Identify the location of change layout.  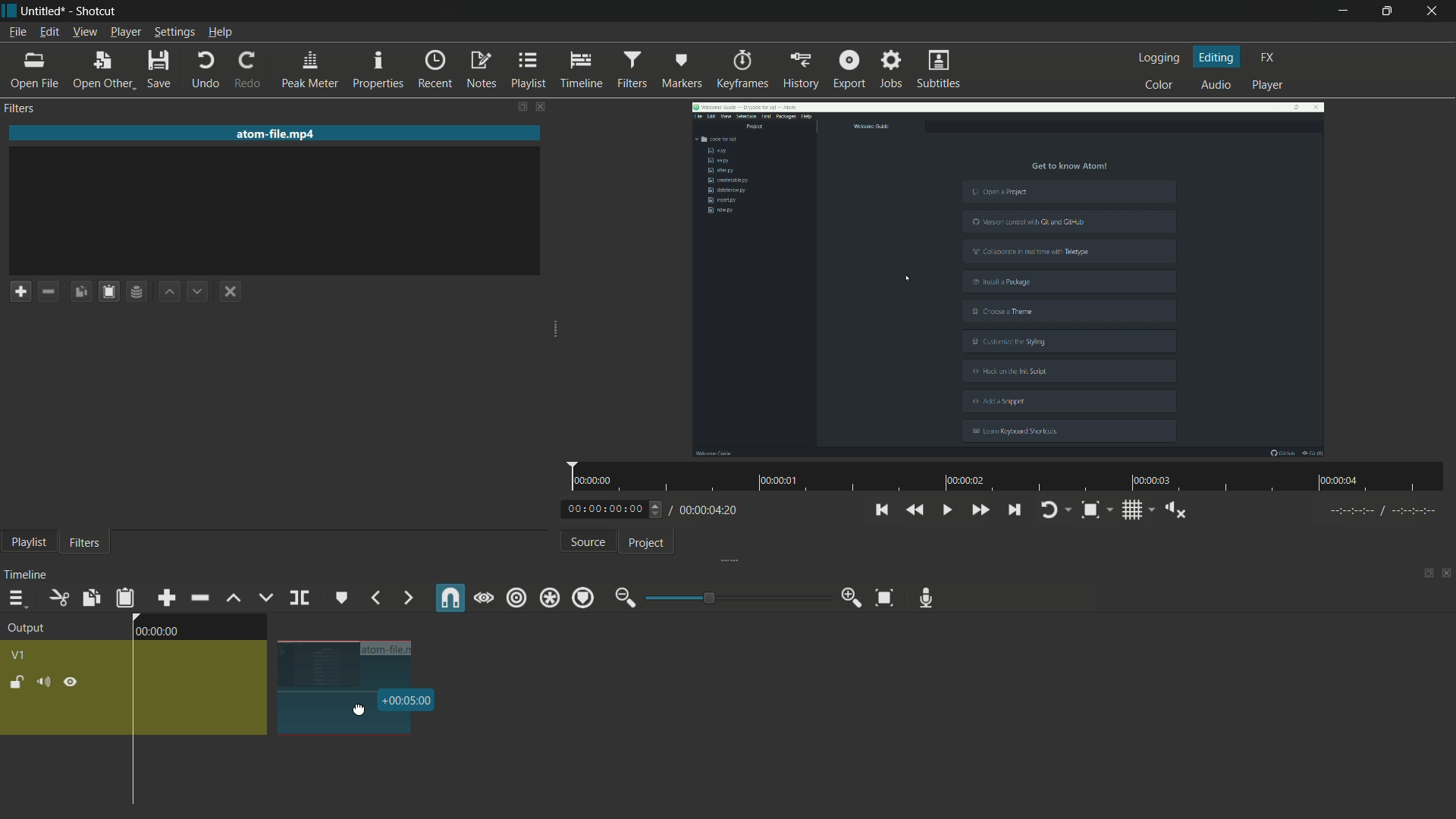
(507, 105).